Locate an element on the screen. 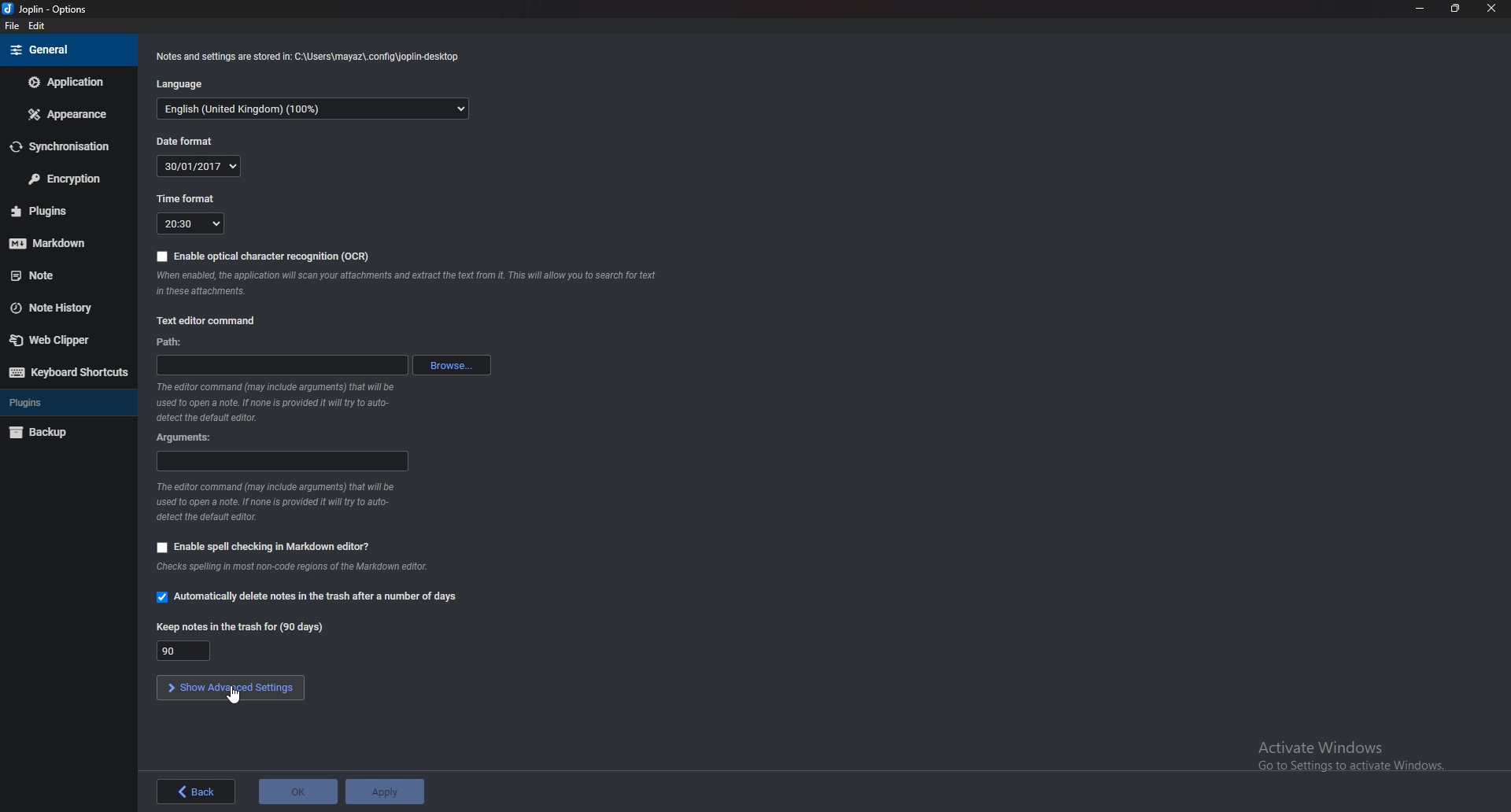  general is located at coordinates (67, 50).